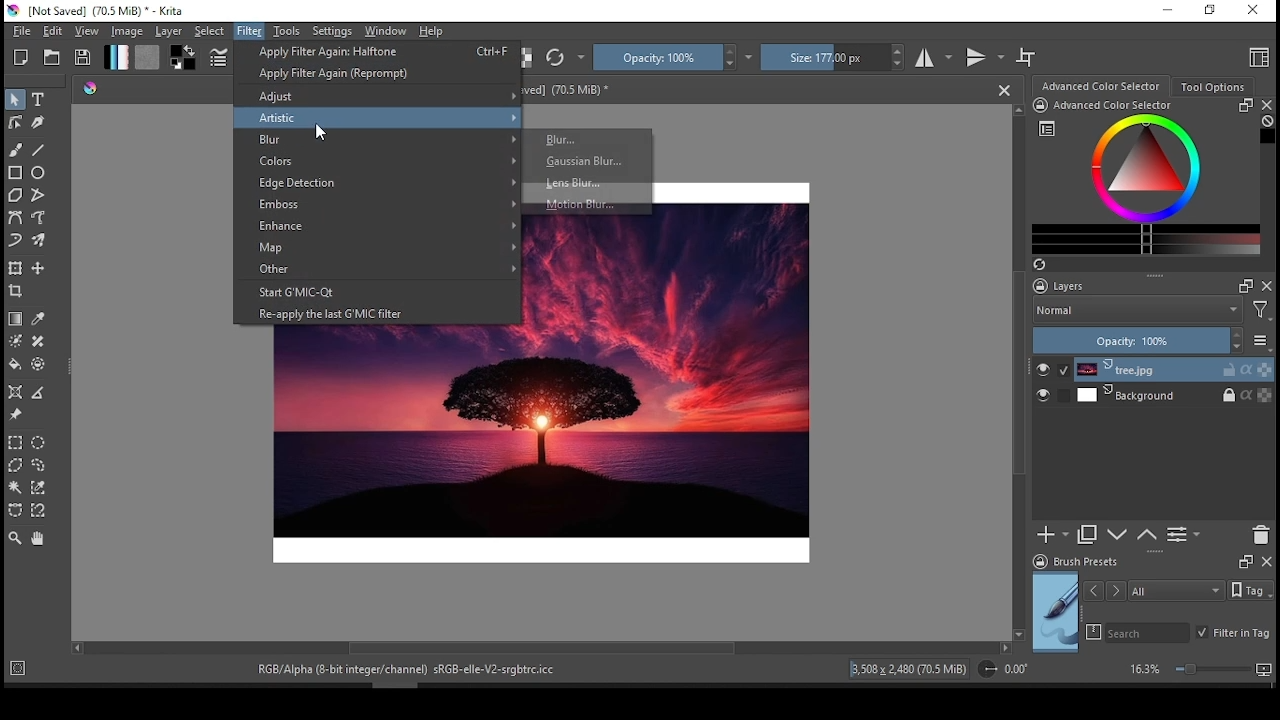 The height and width of the screenshot is (720, 1280). What do you see at coordinates (544, 648) in the screenshot?
I see `scroll` at bounding box center [544, 648].